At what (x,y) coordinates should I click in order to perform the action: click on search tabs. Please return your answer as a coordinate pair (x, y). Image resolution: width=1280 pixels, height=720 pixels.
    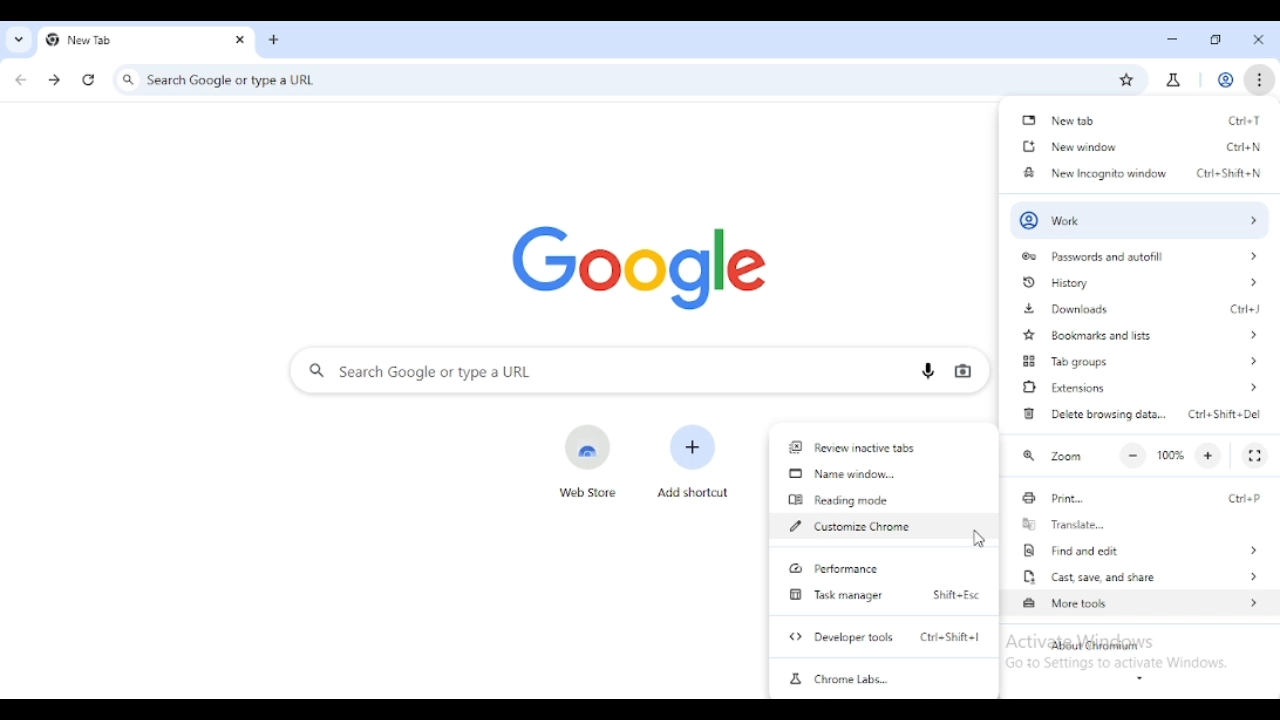
    Looking at the image, I should click on (18, 40).